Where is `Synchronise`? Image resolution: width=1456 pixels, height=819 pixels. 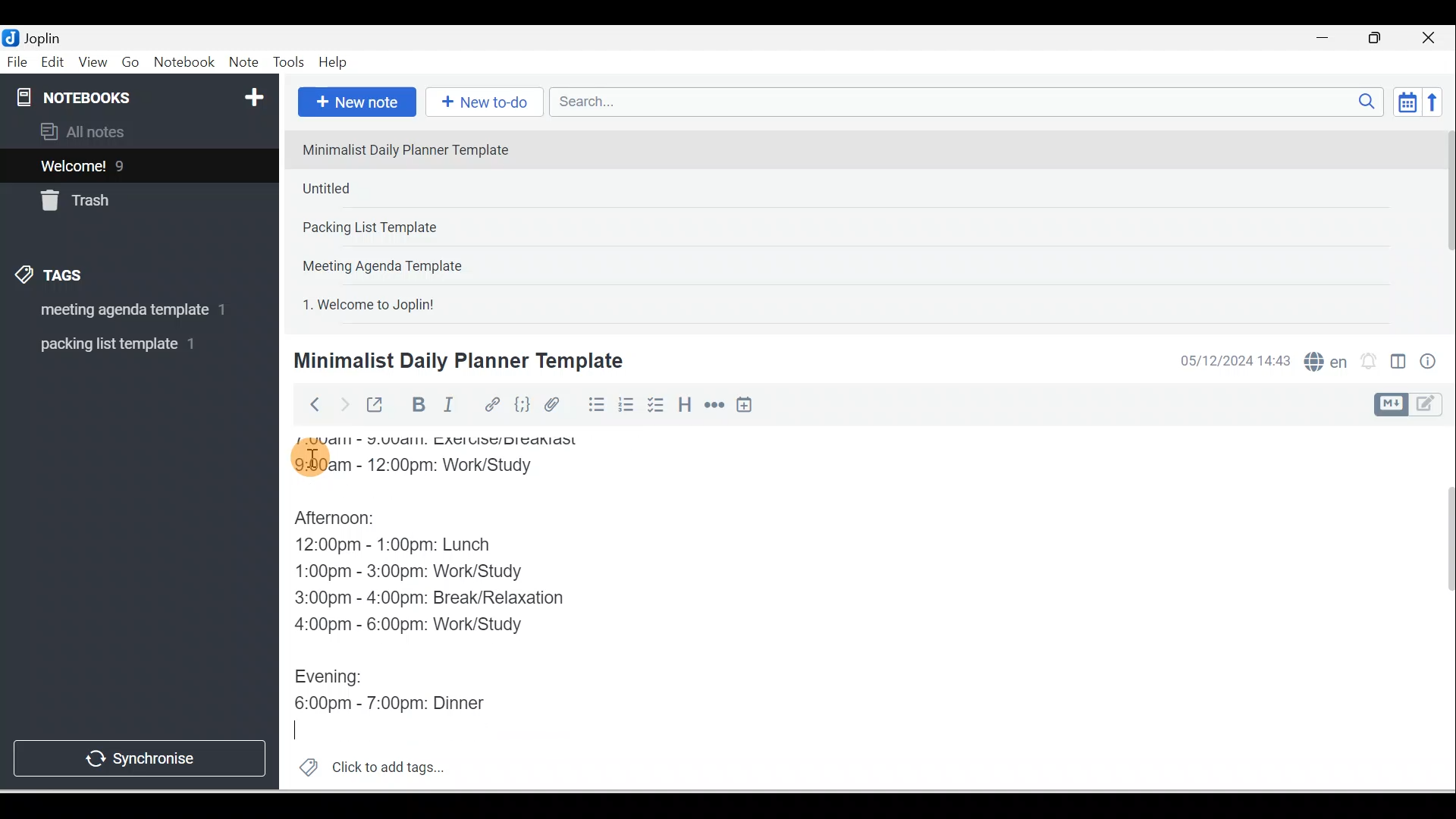 Synchronise is located at coordinates (138, 755).